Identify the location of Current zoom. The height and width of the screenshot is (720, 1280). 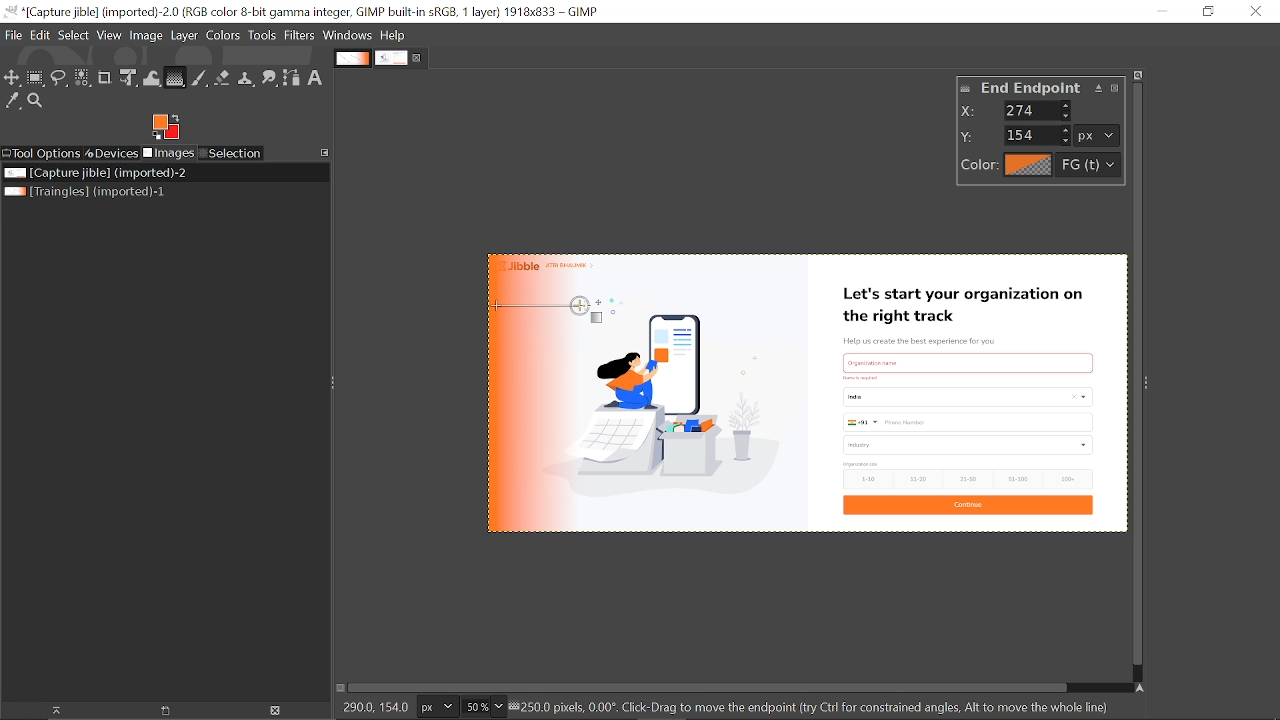
(474, 708).